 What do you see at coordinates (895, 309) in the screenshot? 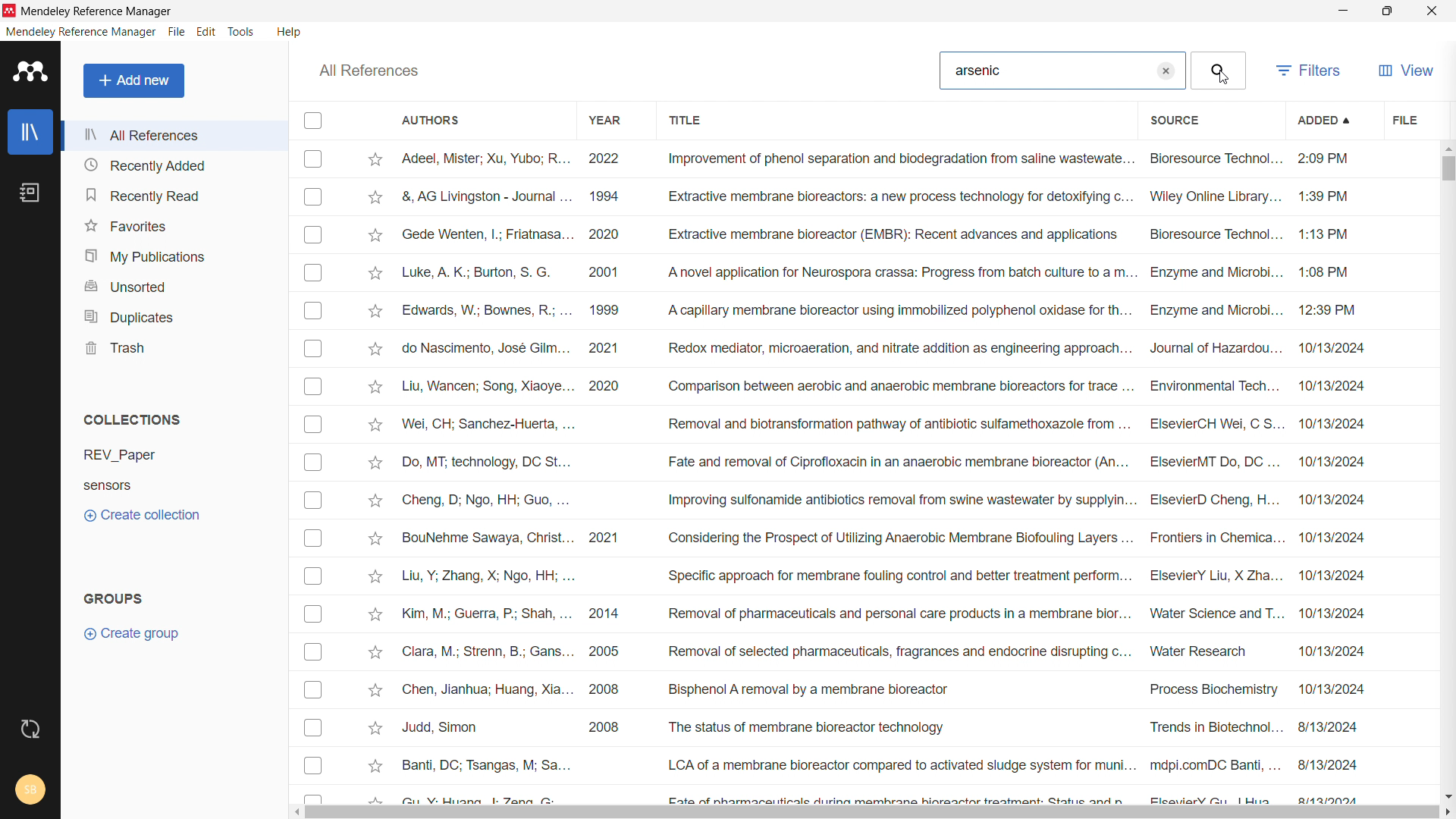
I see `Edwards, W.; Bownes, R.; ... 1999 A capillary membrane bioreactor using immobilized polyphenol oxidase for th... Enzyme and Microbi... 12:39 PM` at bounding box center [895, 309].